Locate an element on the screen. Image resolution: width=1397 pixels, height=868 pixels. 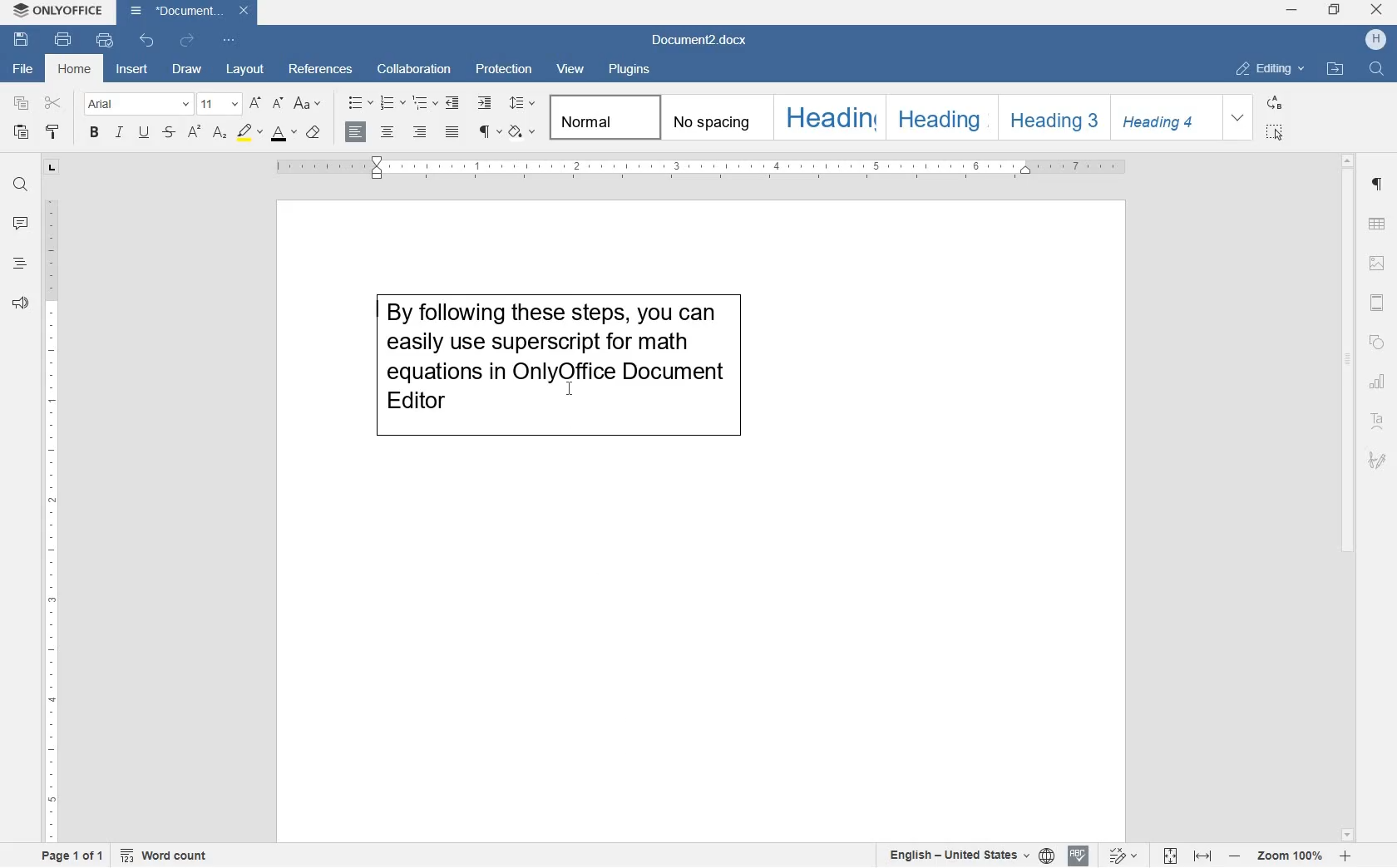
zoom in or zoom out is located at coordinates (1288, 855).